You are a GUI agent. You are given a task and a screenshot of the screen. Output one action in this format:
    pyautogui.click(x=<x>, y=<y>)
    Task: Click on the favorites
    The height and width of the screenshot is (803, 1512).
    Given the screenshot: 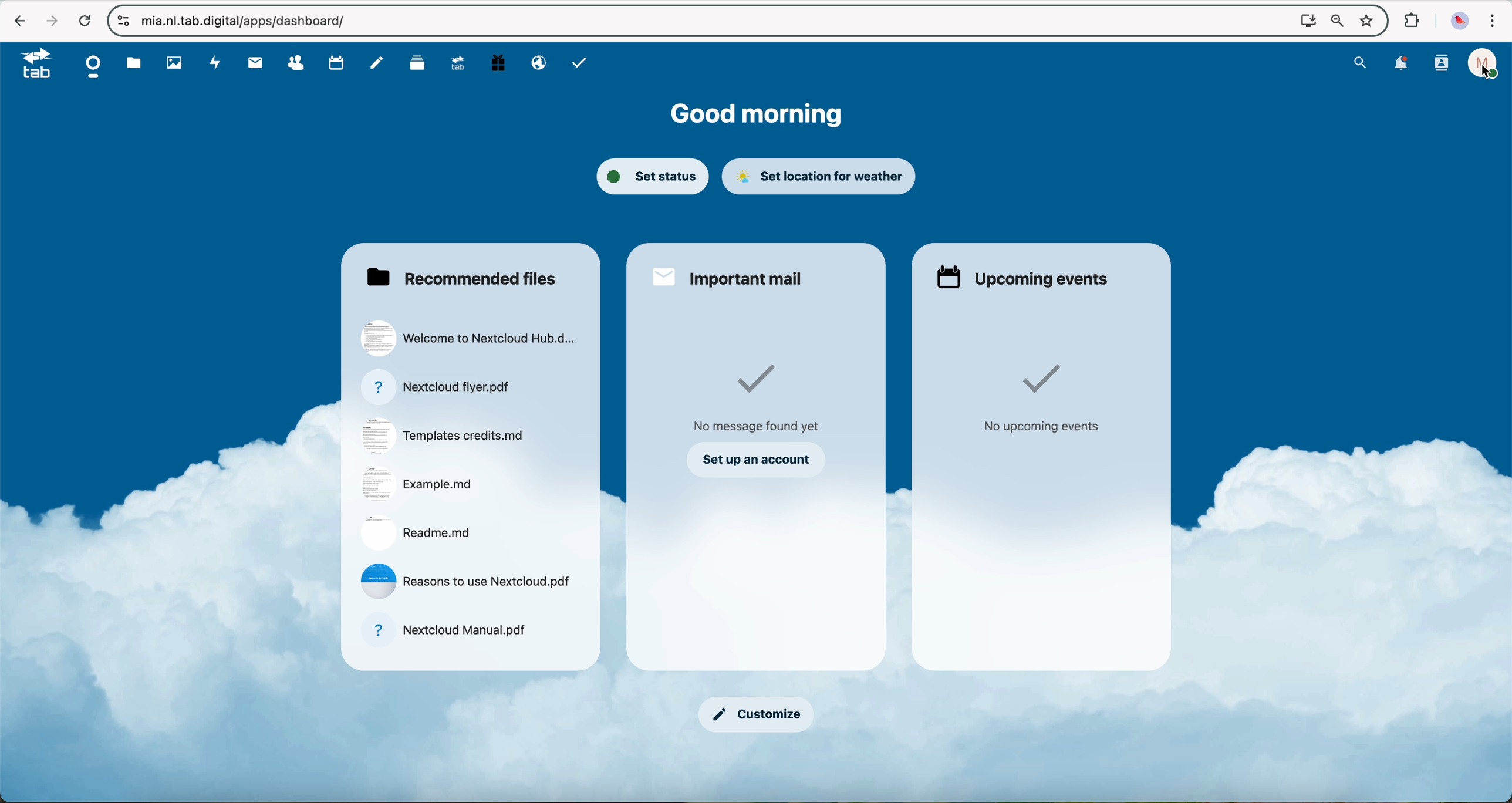 What is the action you would take?
    pyautogui.click(x=1365, y=18)
    